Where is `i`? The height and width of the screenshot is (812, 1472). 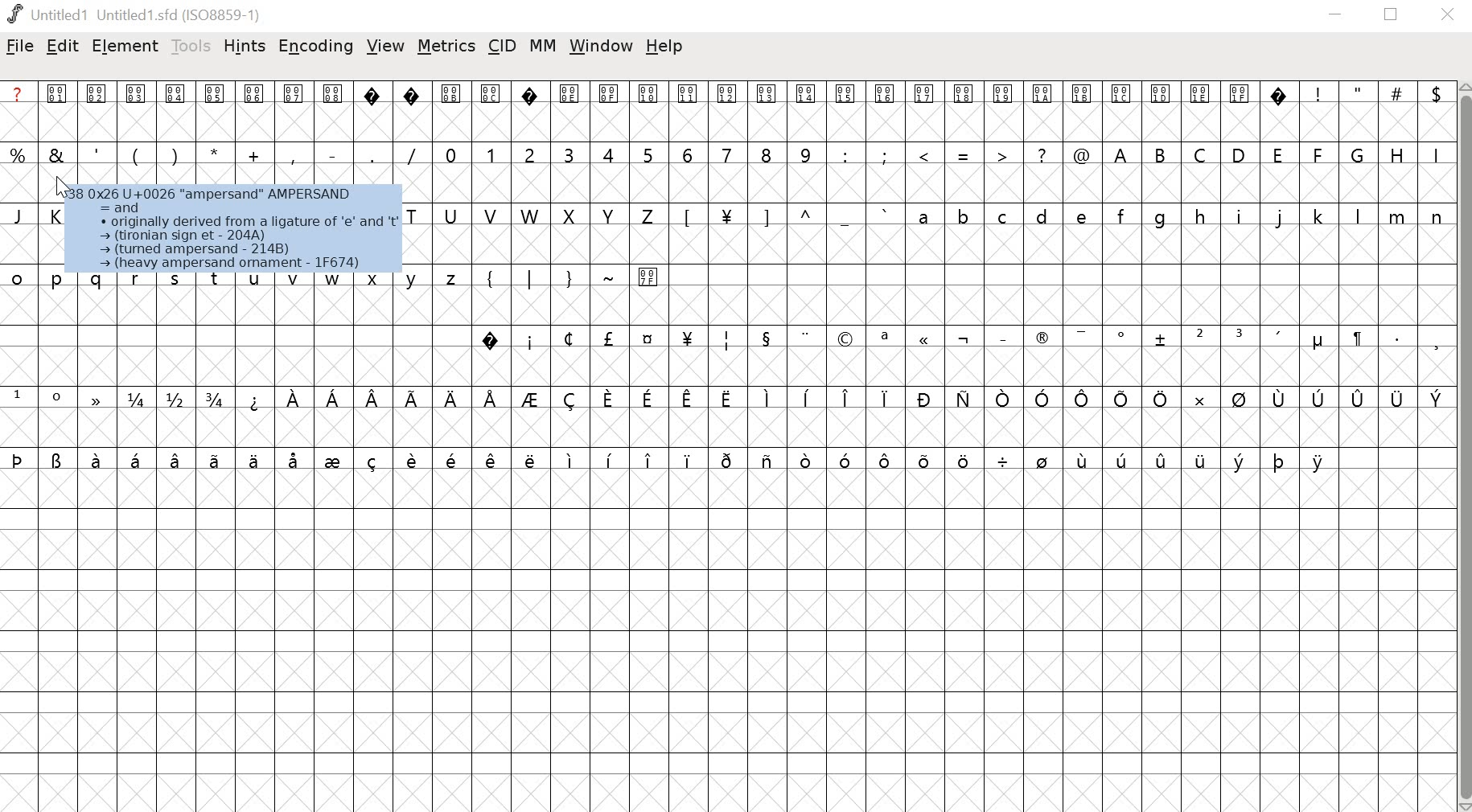 i is located at coordinates (530, 339).